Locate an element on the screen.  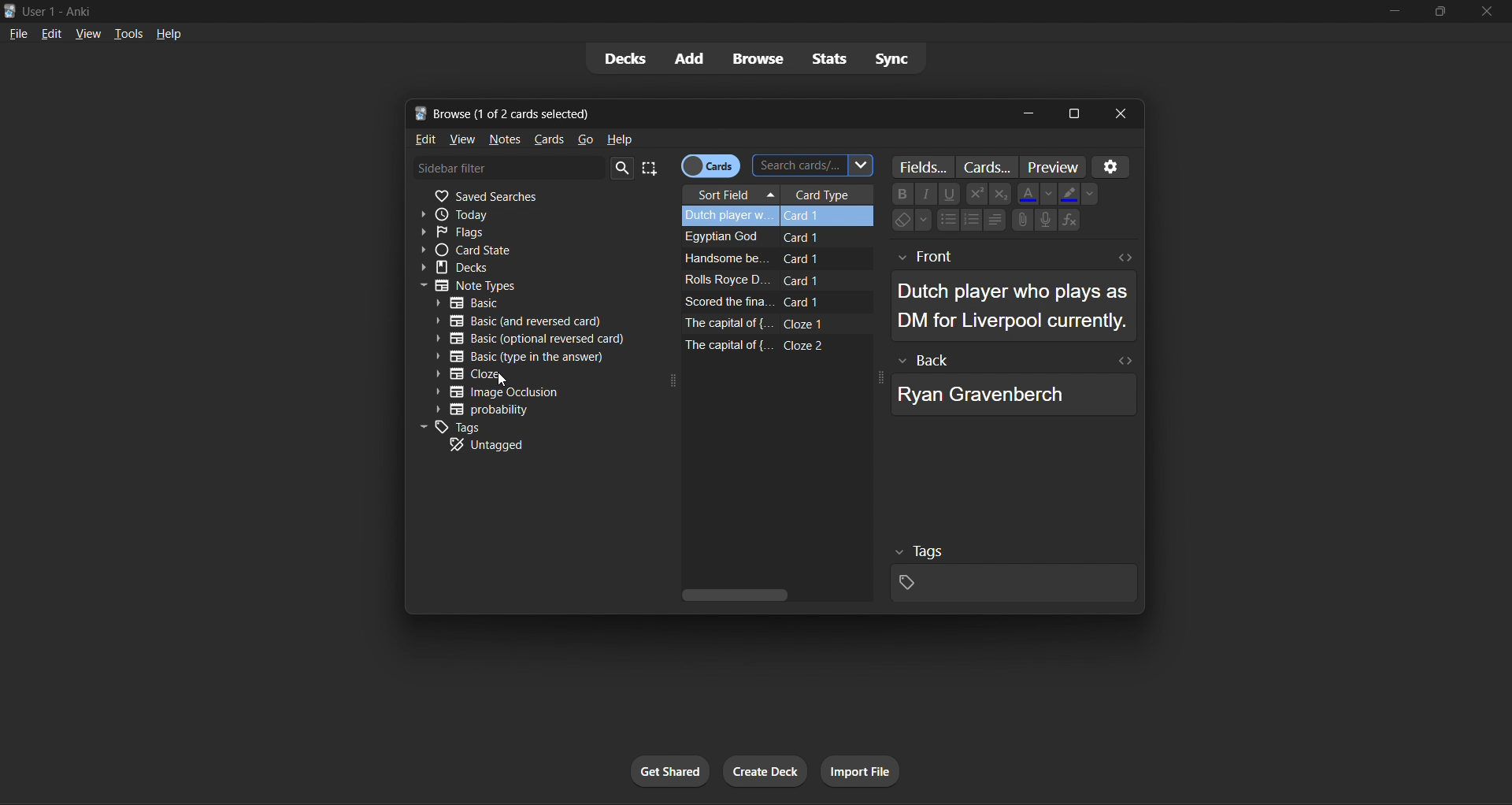
probability filter is located at coordinates (531, 410).